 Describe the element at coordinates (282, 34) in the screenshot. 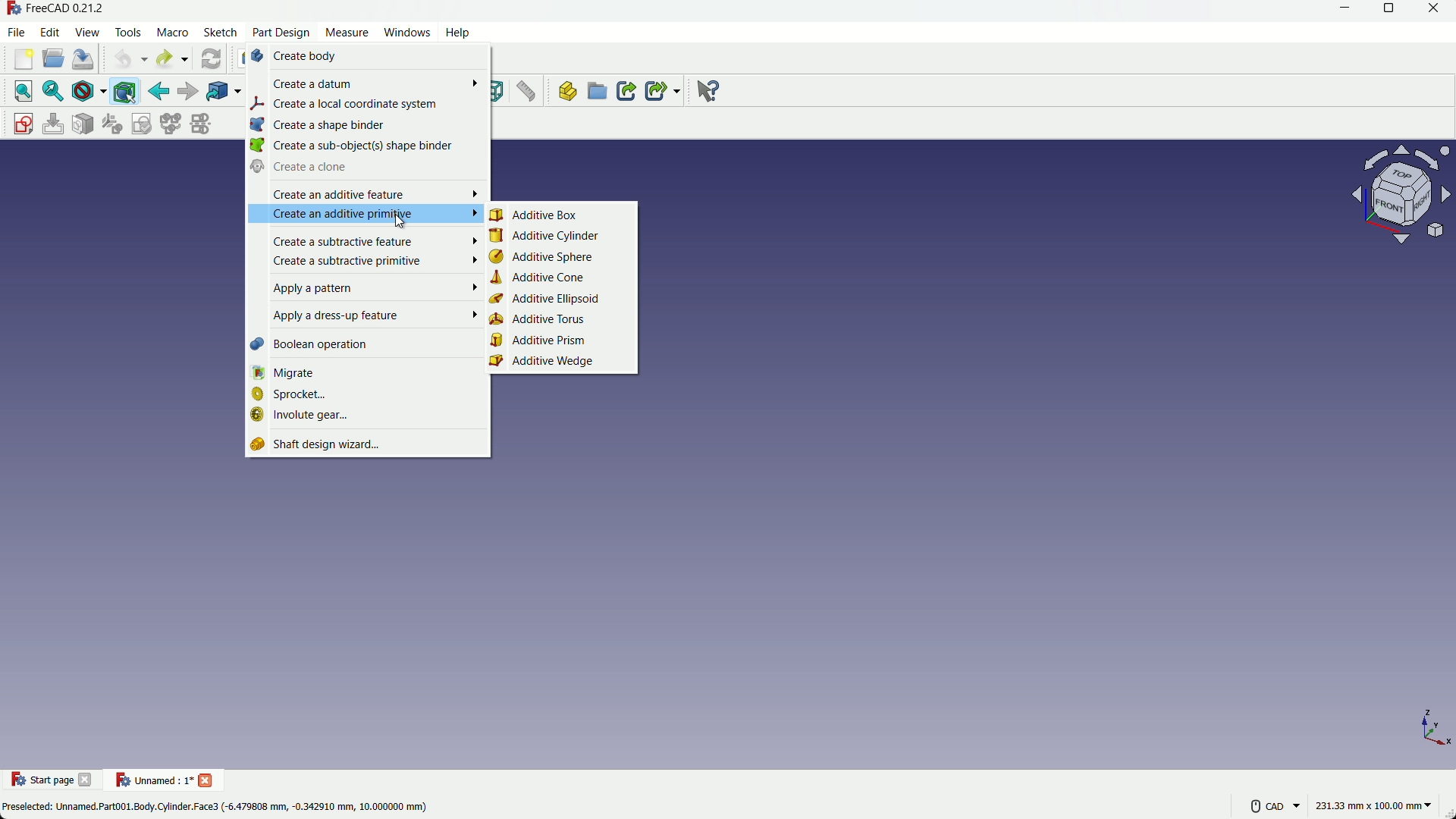

I see `part design menu` at that location.